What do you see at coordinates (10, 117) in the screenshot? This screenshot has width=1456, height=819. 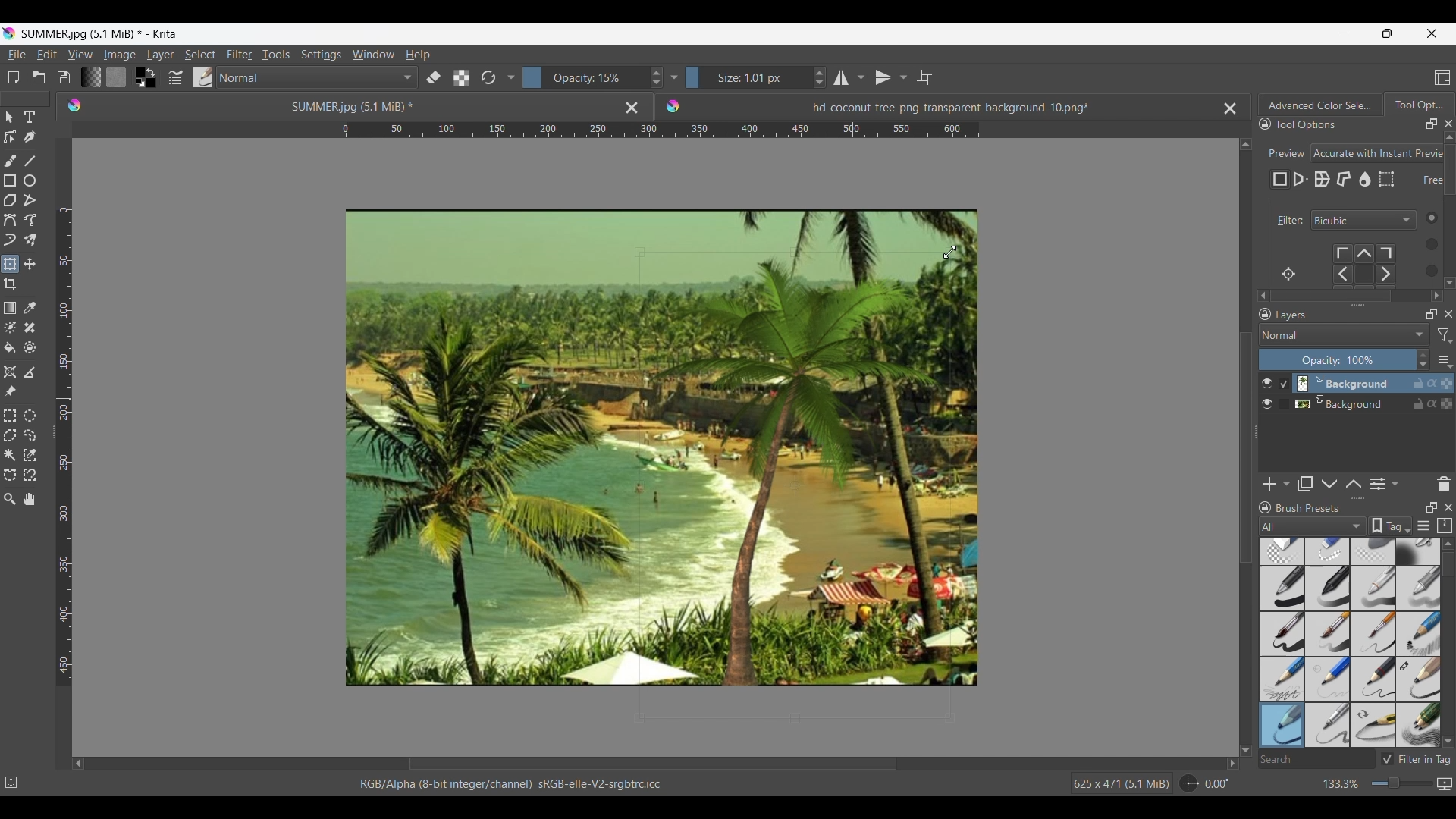 I see `Select shapes` at bounding box center [10, 117].